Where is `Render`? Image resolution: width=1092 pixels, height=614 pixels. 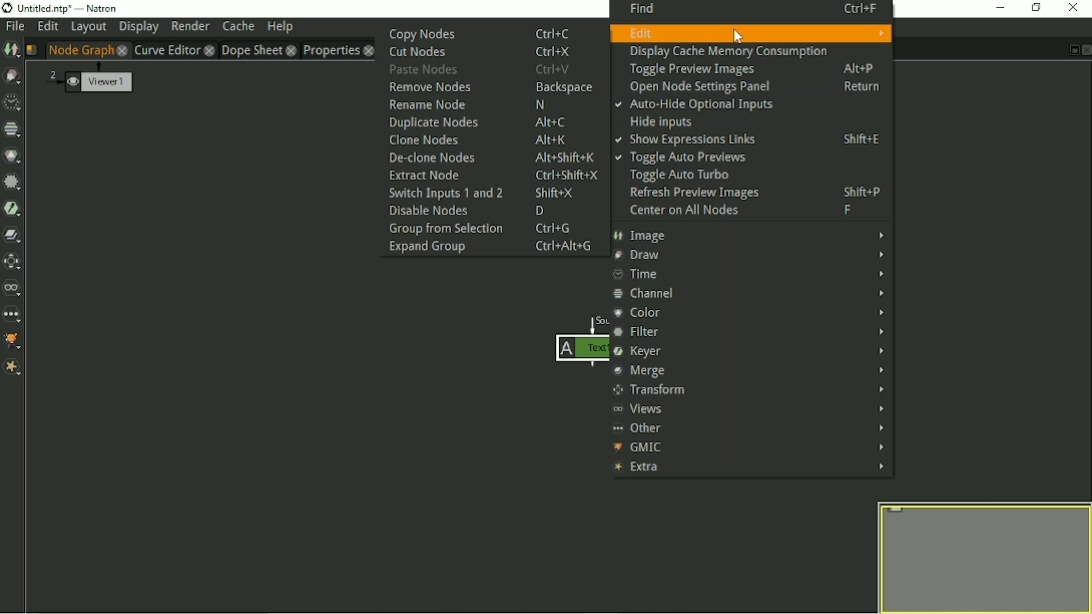
Render is located at coordinates (190, 27).